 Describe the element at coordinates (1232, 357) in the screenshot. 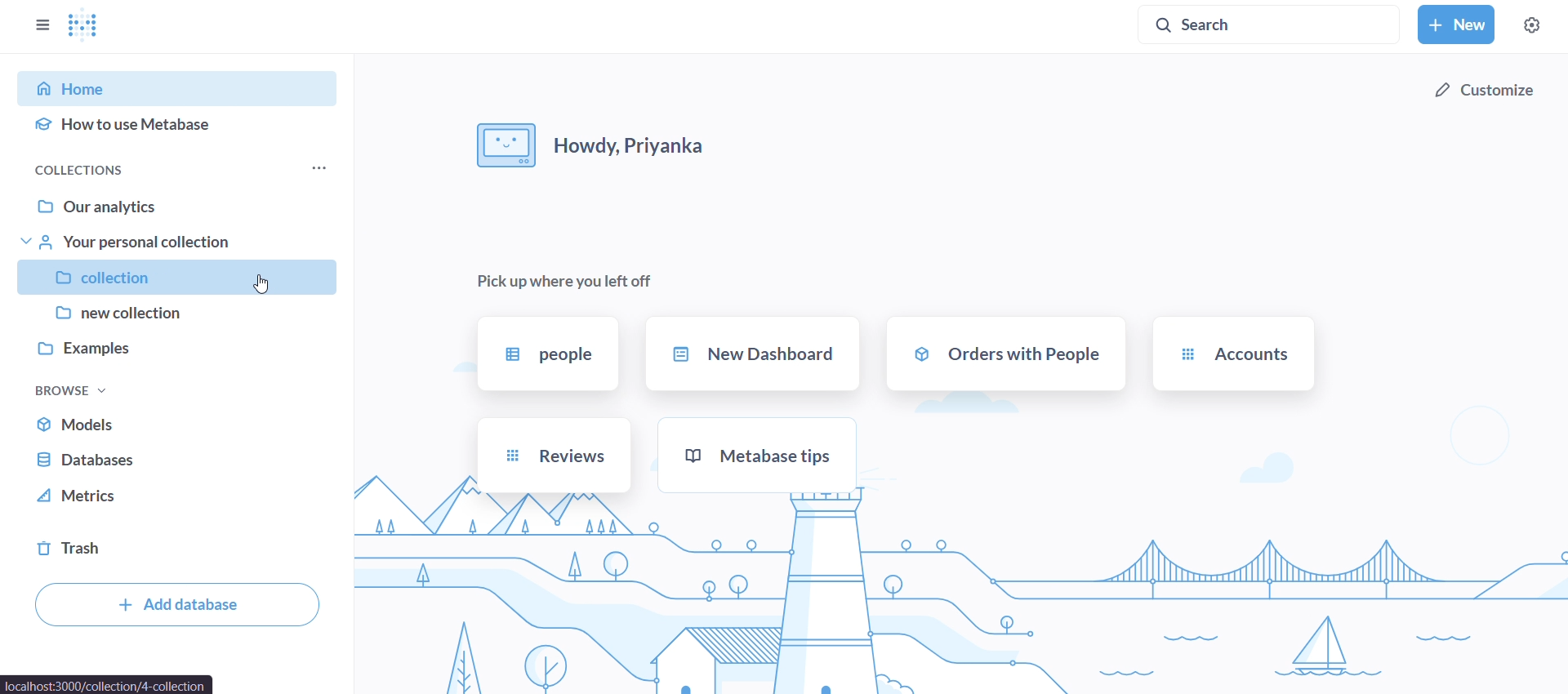

I see `accounts` at that location.